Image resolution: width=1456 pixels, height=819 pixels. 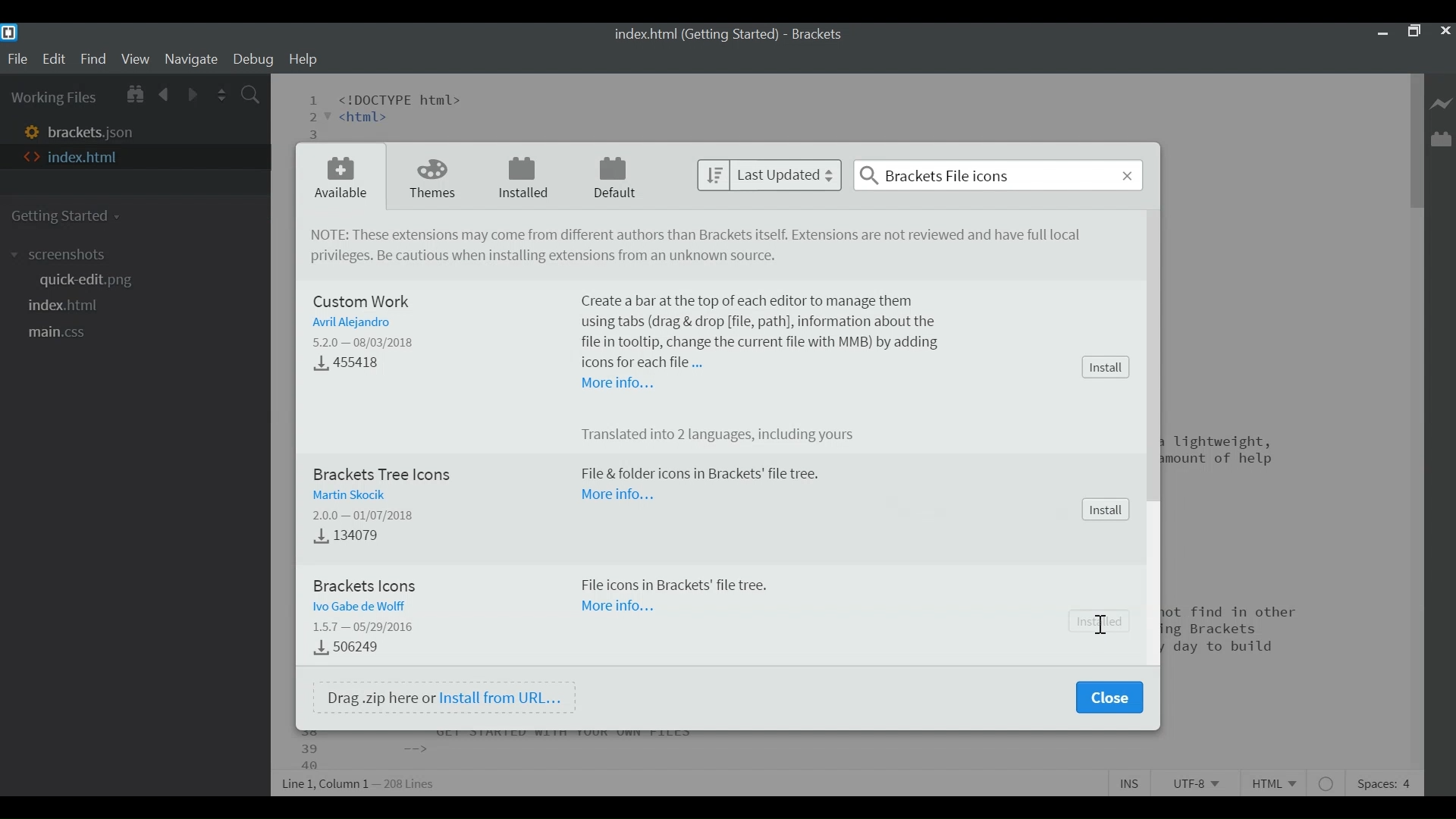 I want to click on Text cursor, so click(x=1098, y=623).